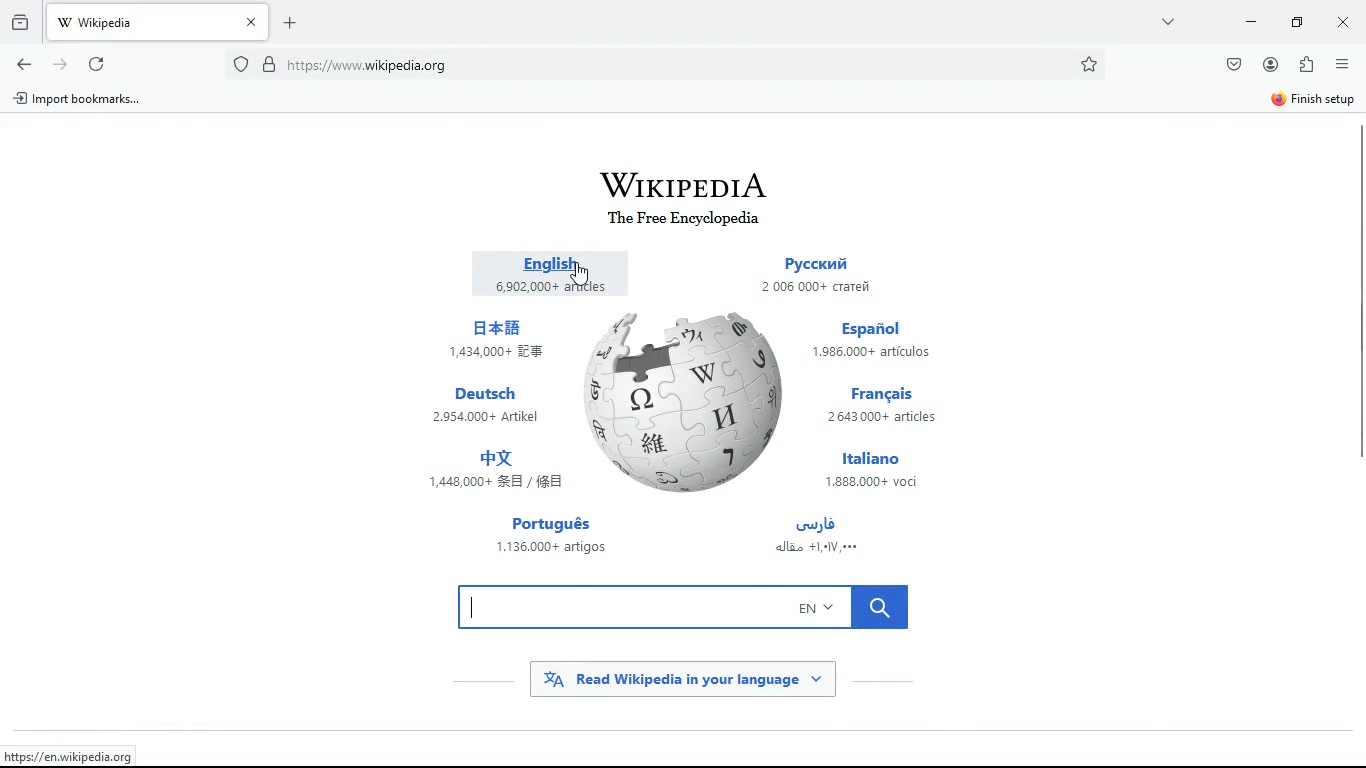  I want to click on français, so click(896, 404).